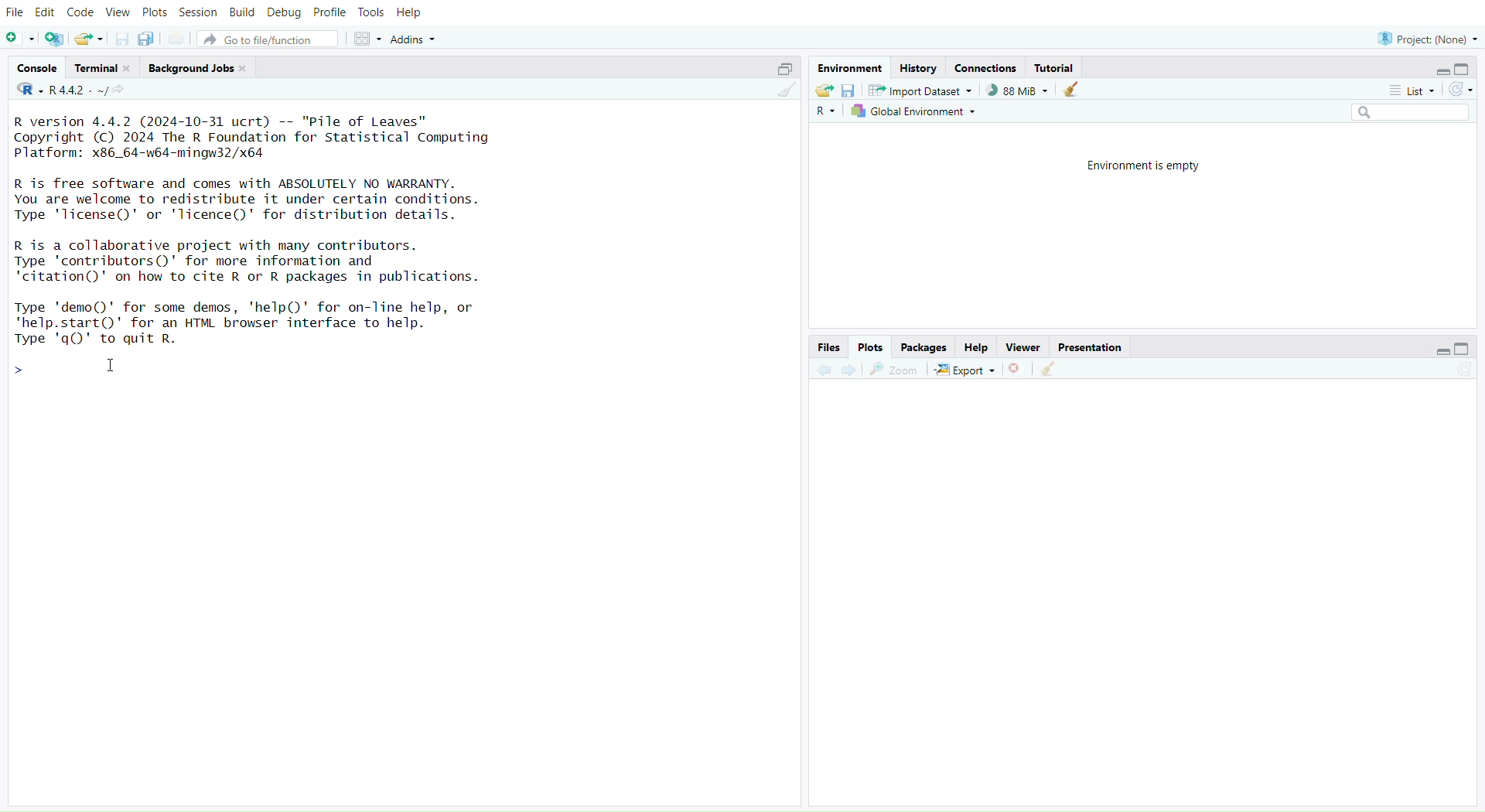 The height and width of the screenshot is (812, 1485). Describe the element at coordinates (418, 39) in the screenshot. I see `addins` at that location.